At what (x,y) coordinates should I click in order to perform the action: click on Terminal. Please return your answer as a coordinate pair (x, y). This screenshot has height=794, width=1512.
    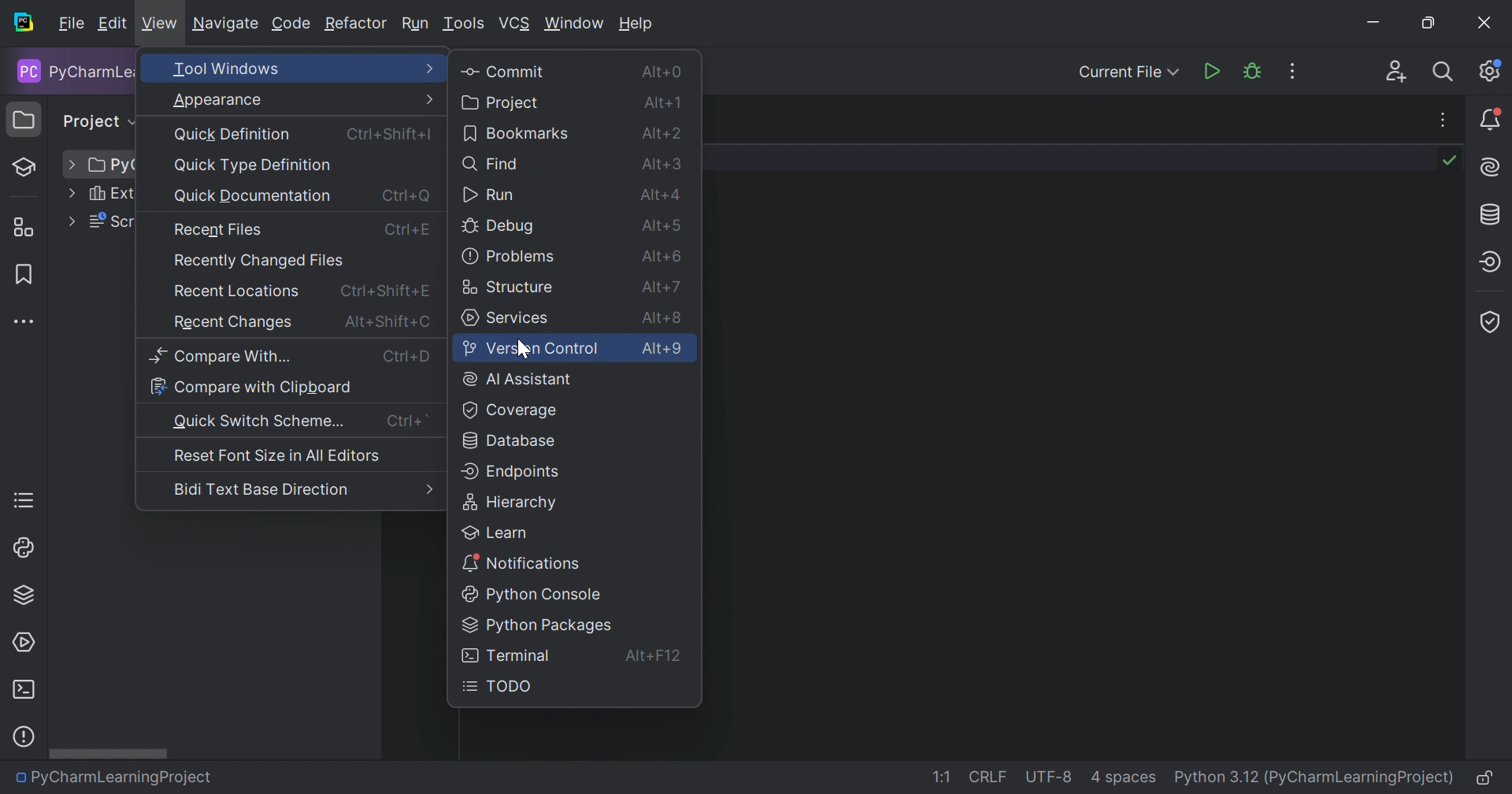
    Looking at the image, I should click on (26, 689).